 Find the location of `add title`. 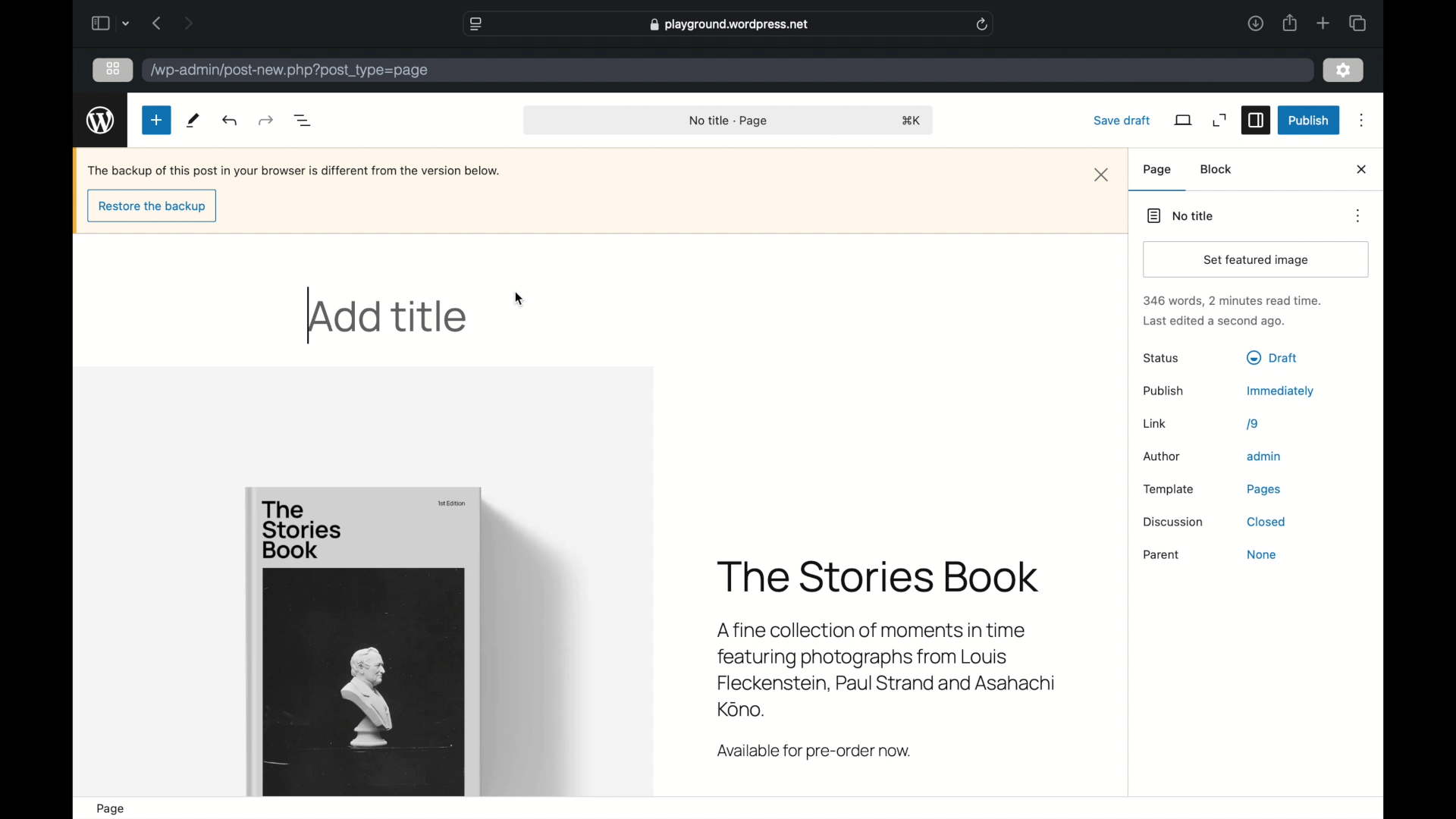

add title is located at coordinates (391, 318).